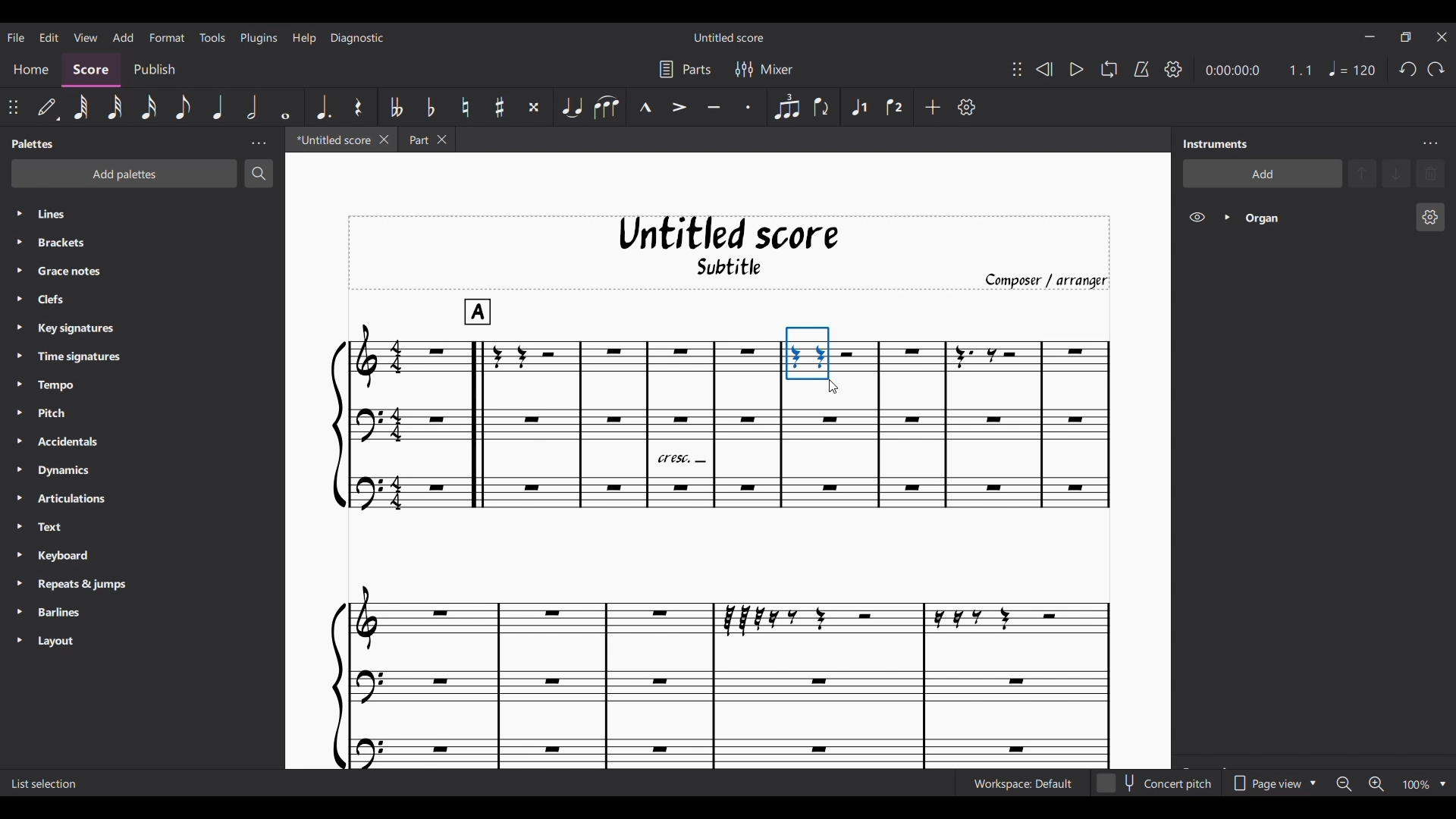 This screenshot has width=1456, height=819. Describe the element at coordinates (1323, 218) in the screenshot. I see `Organ instrument` at that location.